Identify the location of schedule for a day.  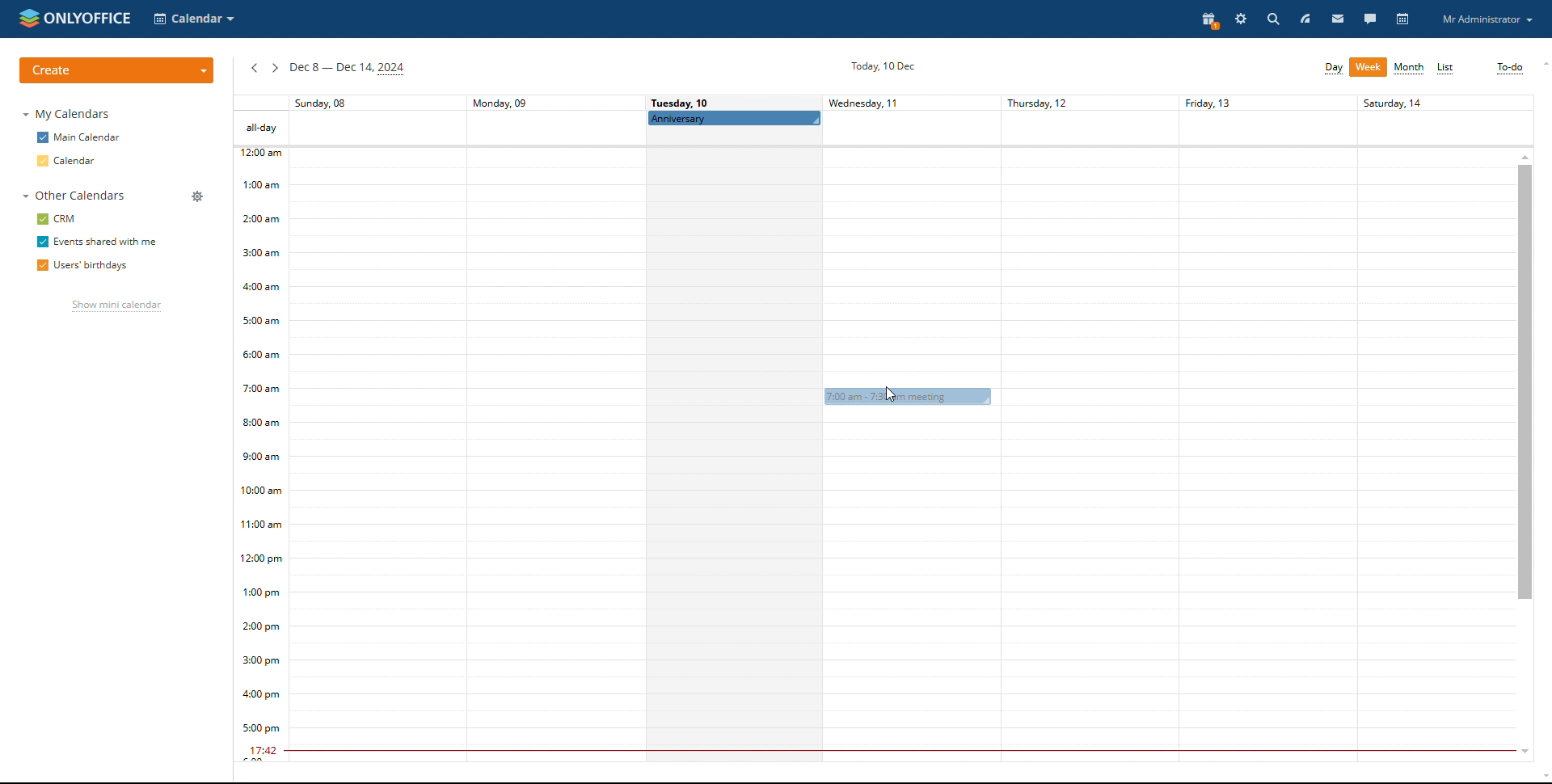
(734, 456).